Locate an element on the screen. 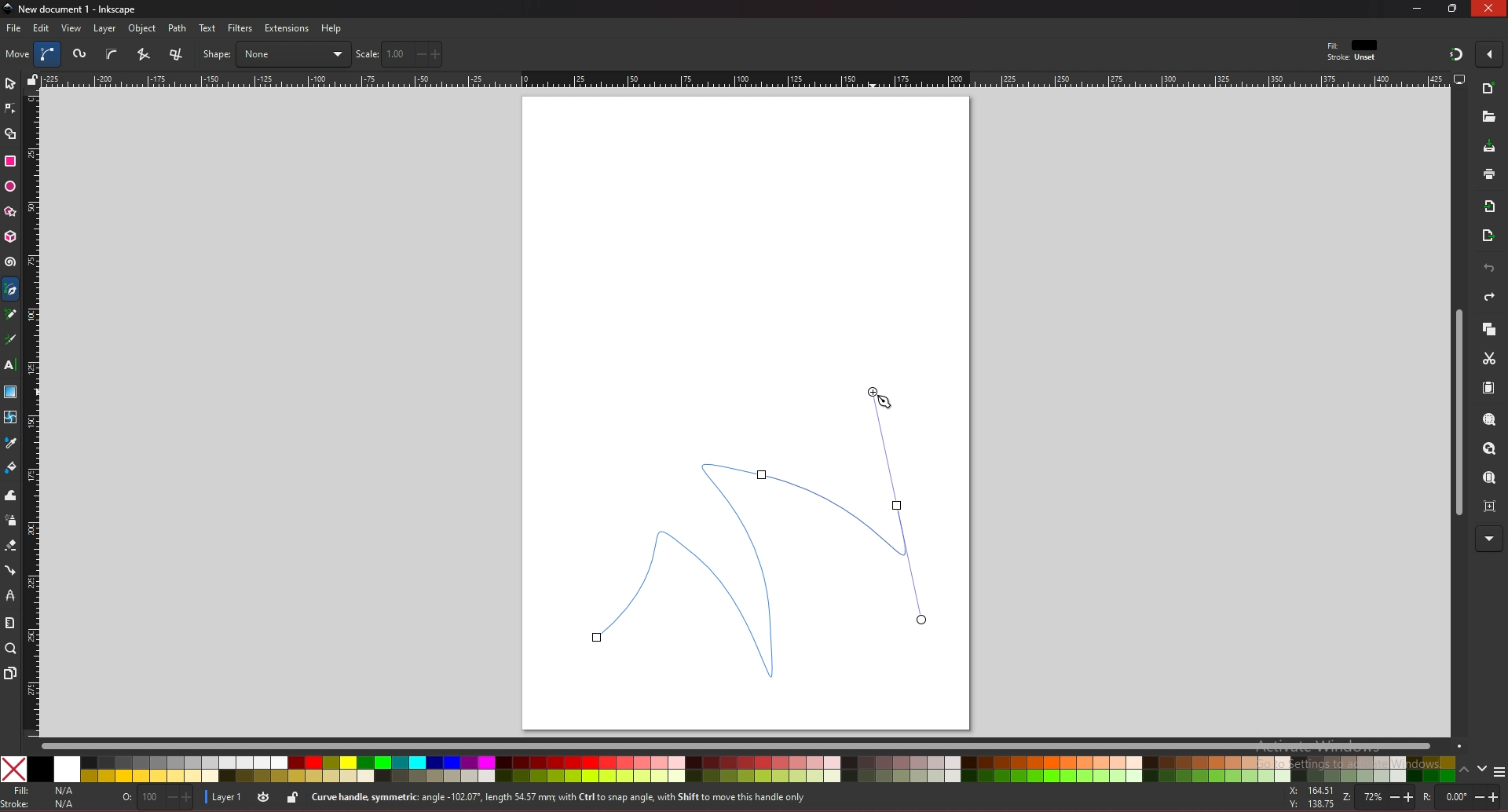 The image size is (1508, 812). lpe is located at coordinates (11, 594).